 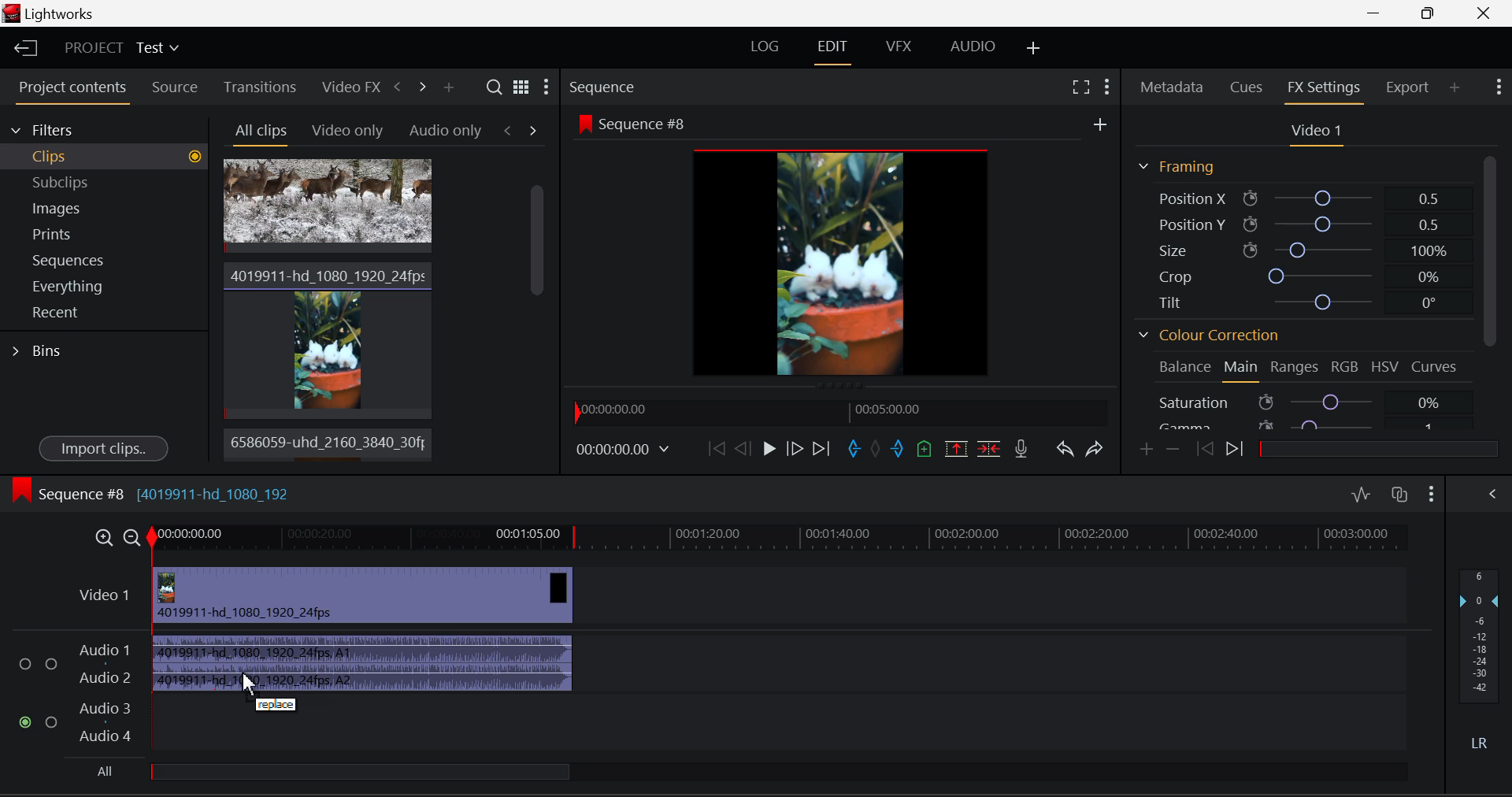 I want to click on replace, so click(x=279, y=706).